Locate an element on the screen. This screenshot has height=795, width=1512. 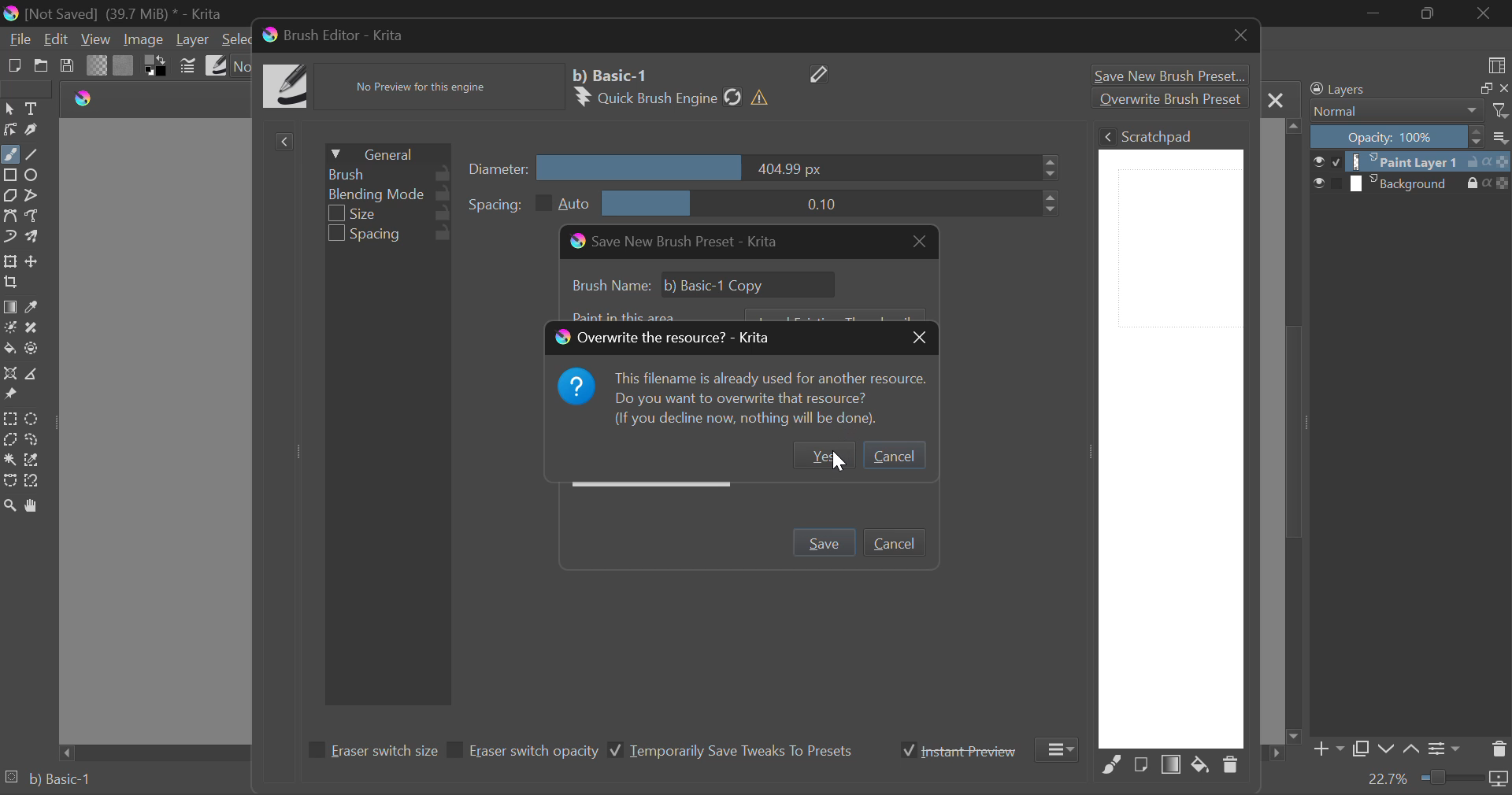
Freehand Path Tools is located at coordinates (37, 215).